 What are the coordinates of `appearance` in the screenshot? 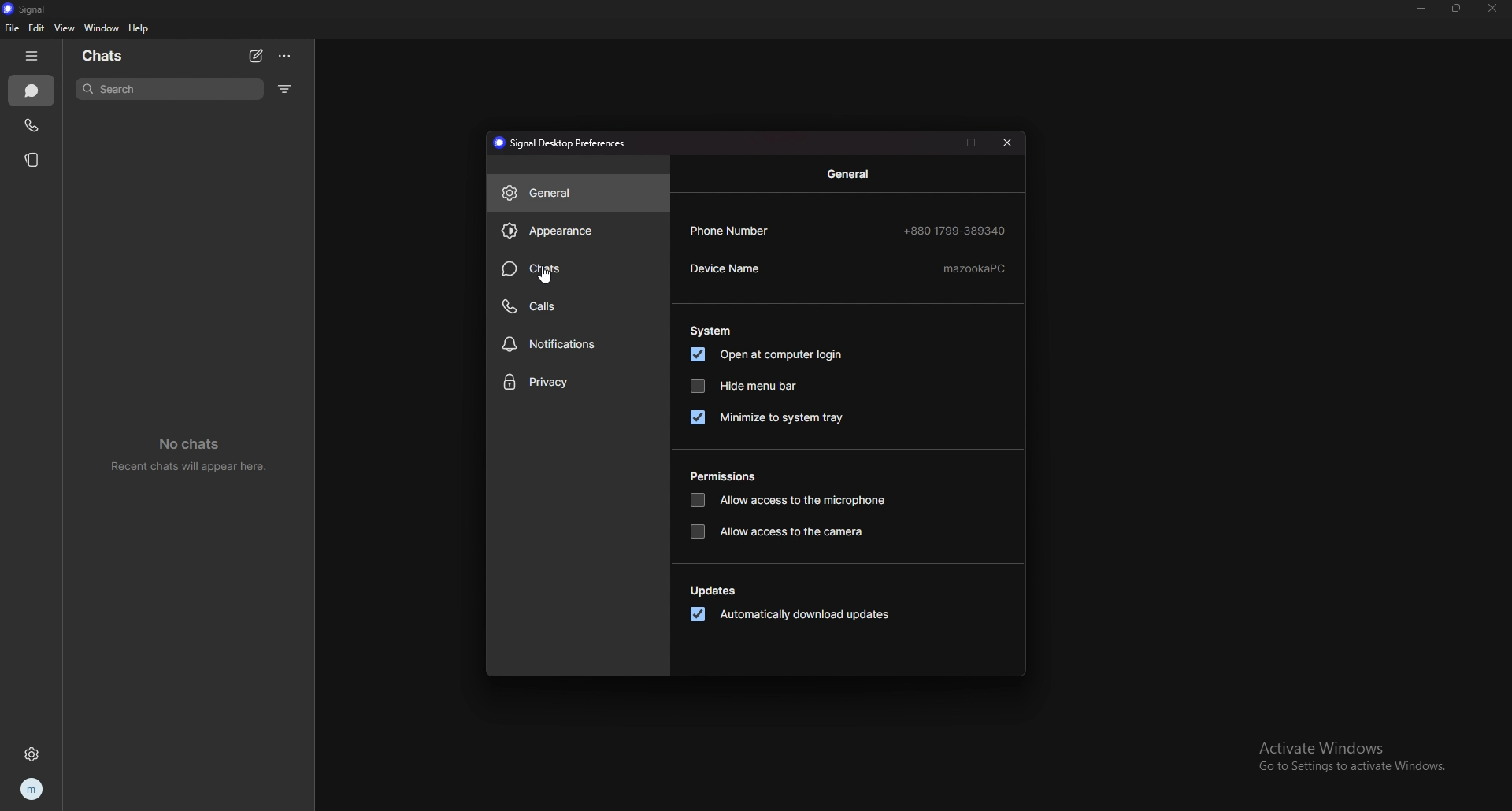 It's located at (578, 231).